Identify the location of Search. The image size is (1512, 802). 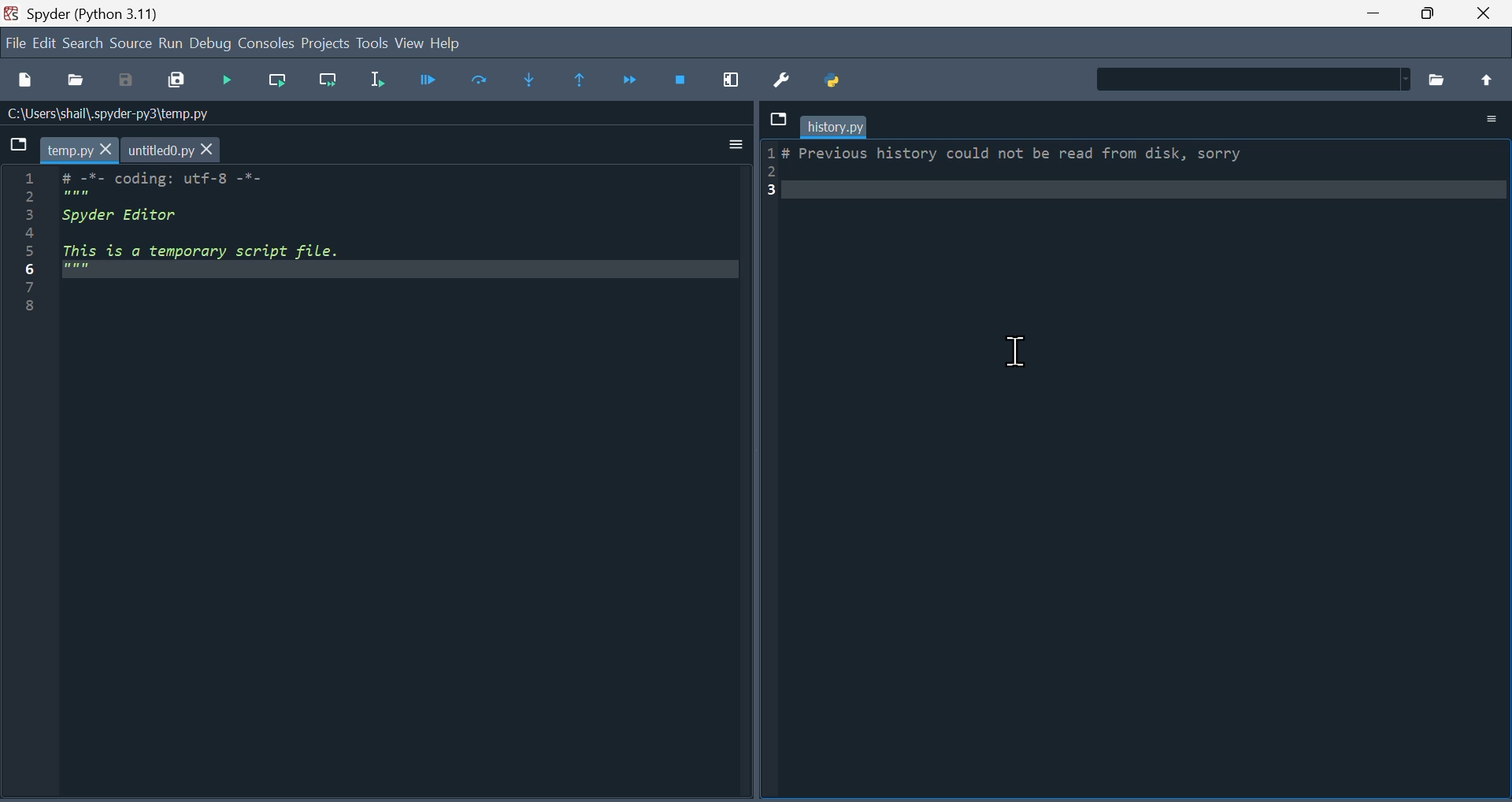
(83, 45).